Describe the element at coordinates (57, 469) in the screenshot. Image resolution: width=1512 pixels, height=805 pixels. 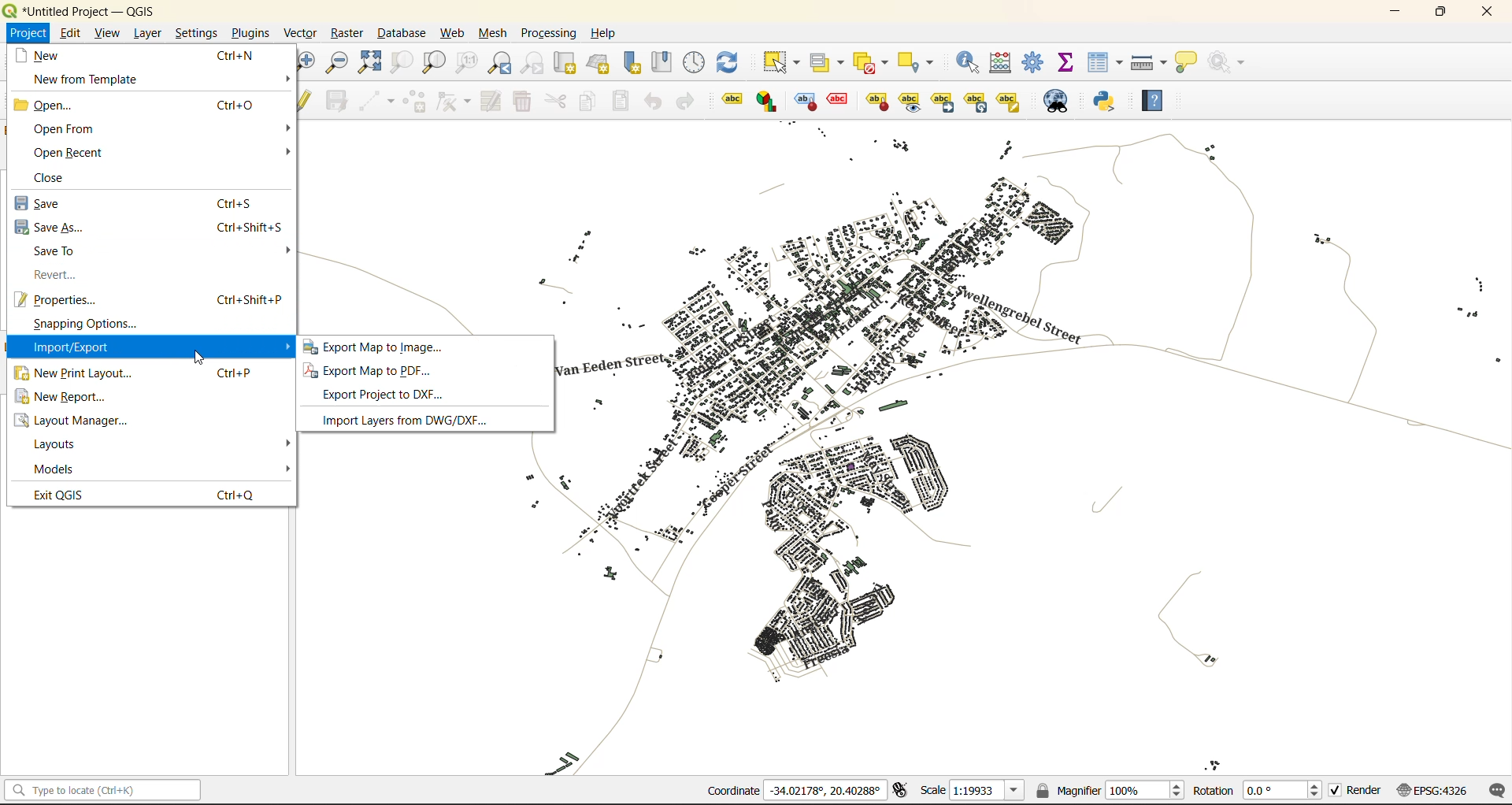
I see `models` at that location.